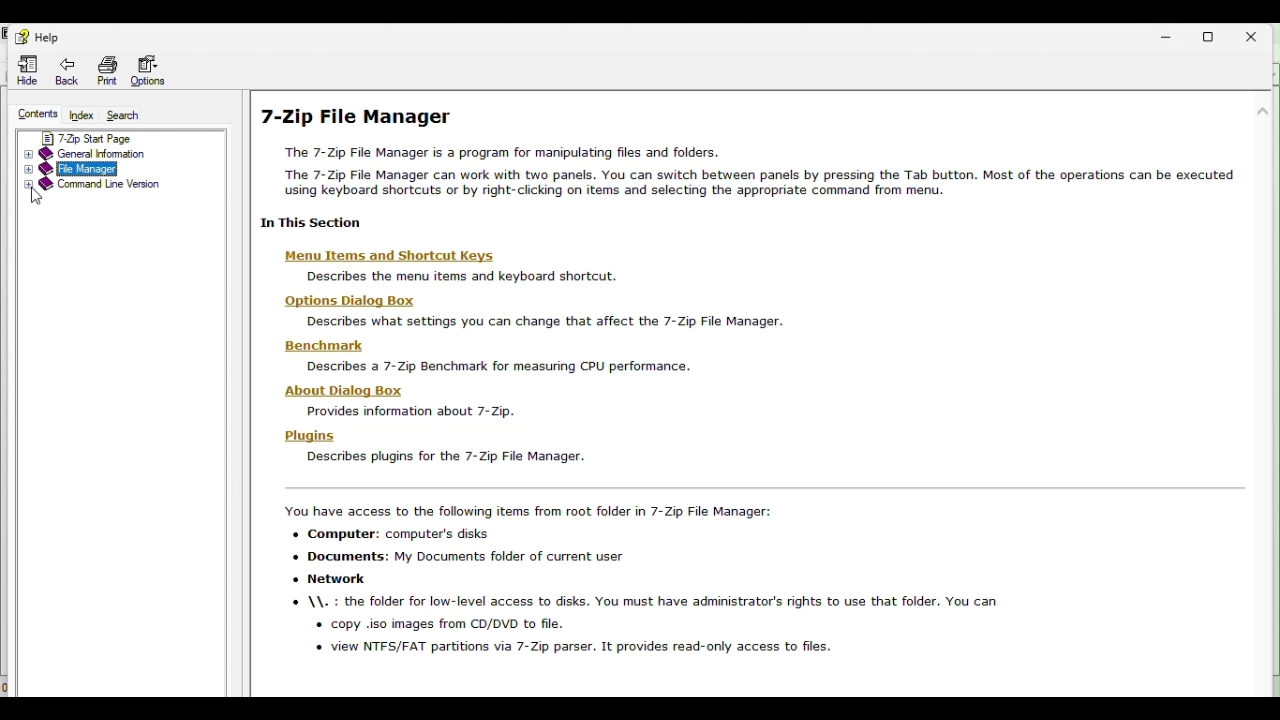 This screenshot has width=1280, height=720. Describe the element at coordinates (96, 188) in the screenshot. I see `Command line version` at that location.